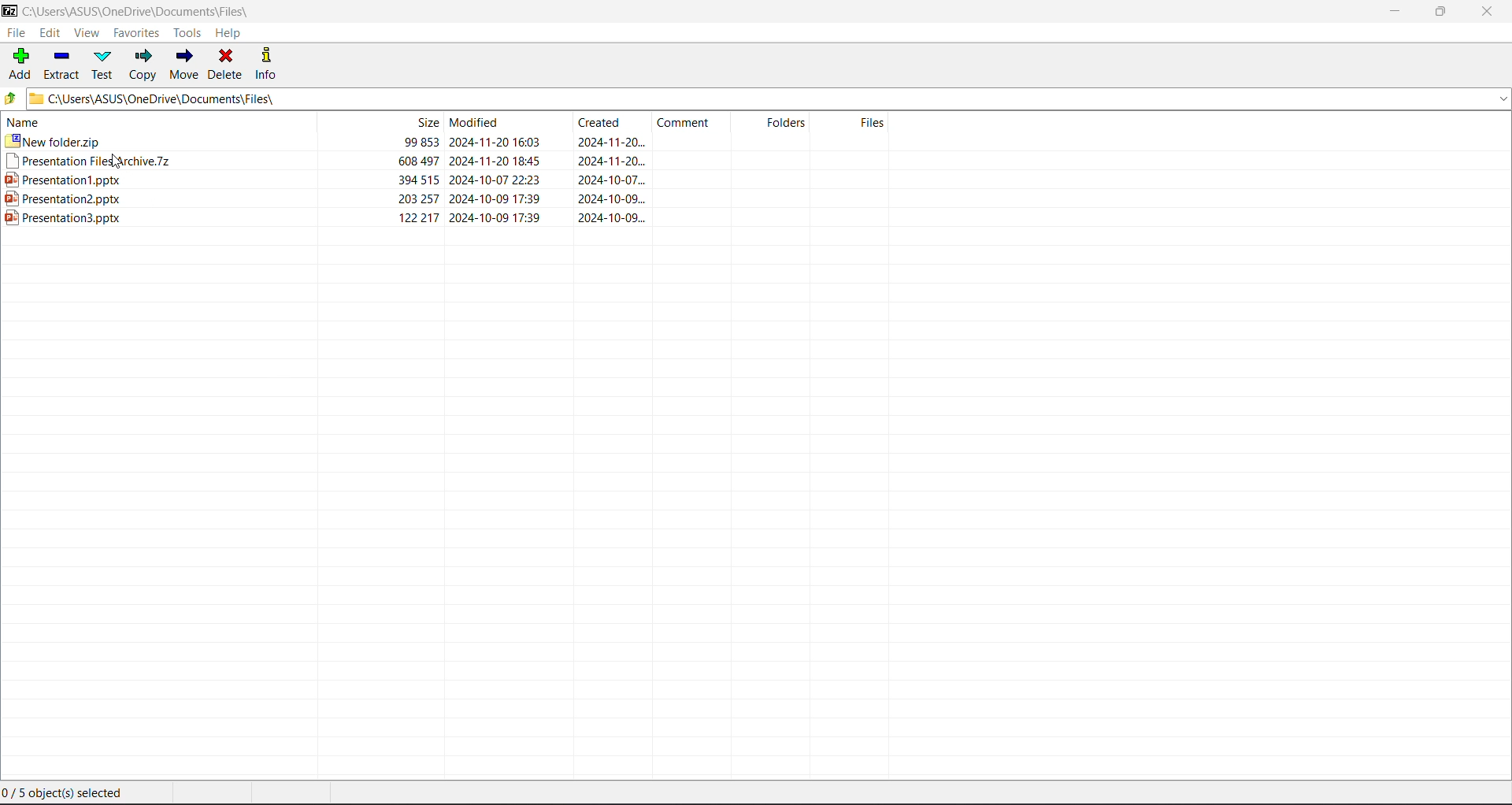  I want to click on Current Folder Path, so click(150, 9).